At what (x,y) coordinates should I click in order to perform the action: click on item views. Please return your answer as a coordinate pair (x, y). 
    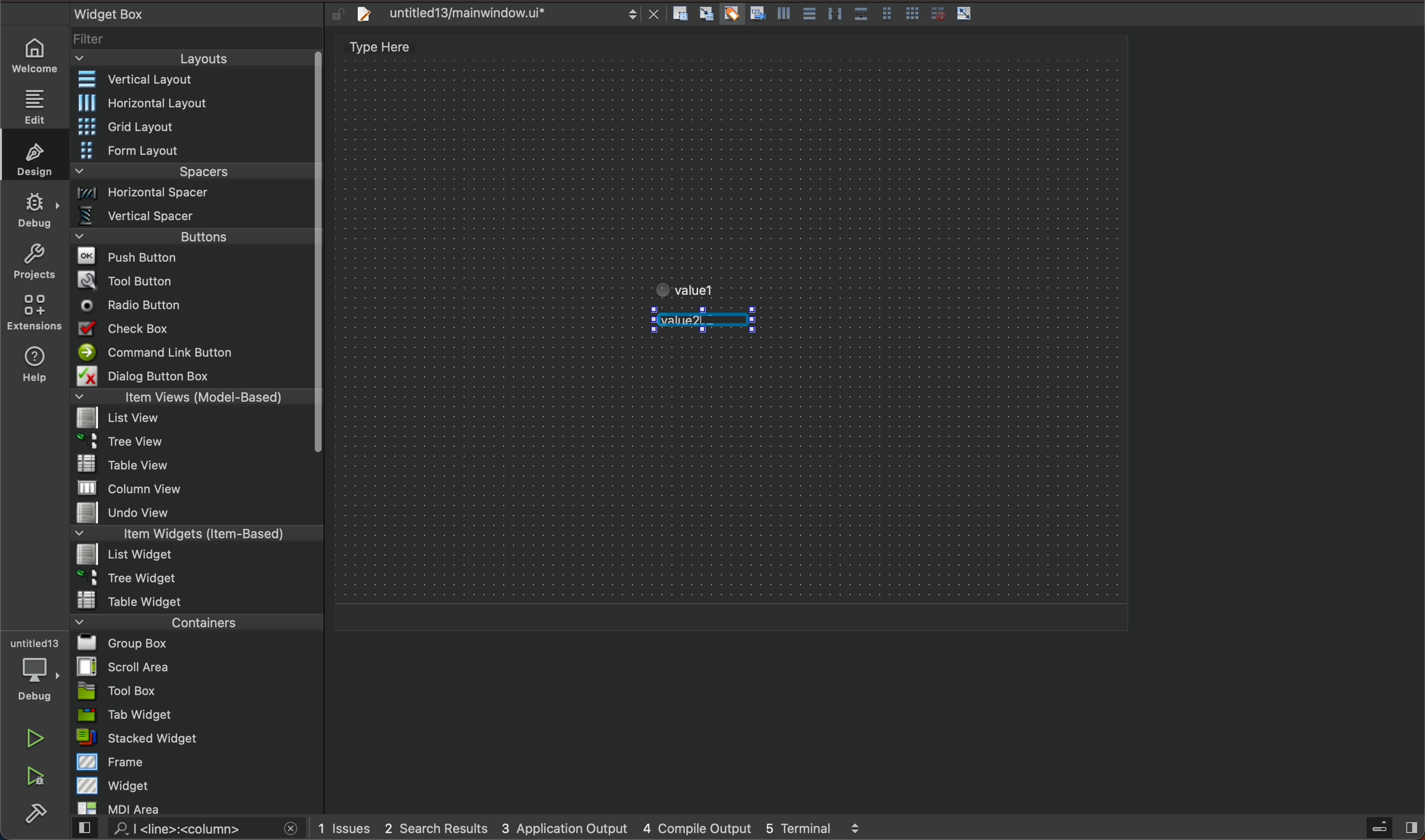
    Looking at the image, I should click on (190, 399).